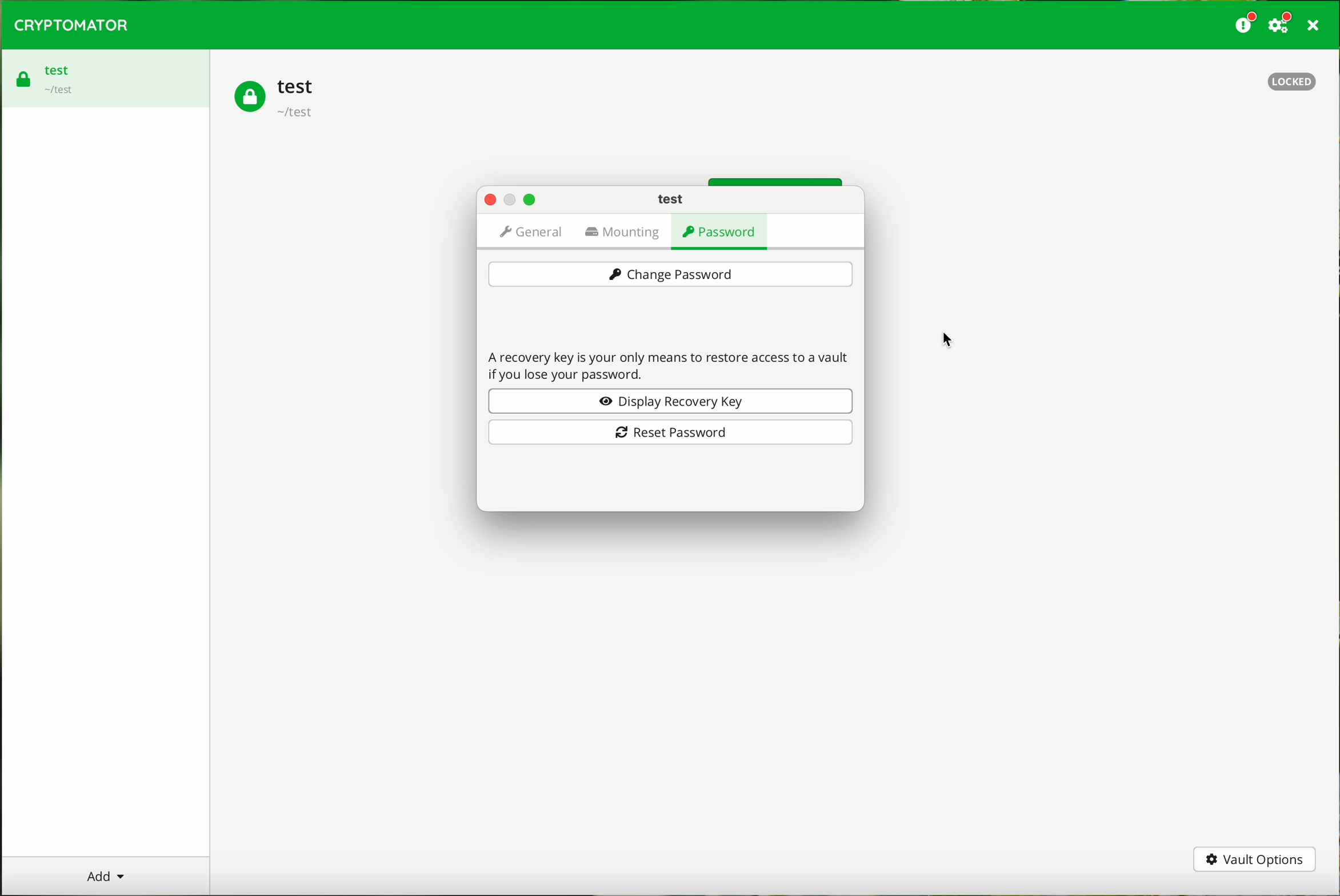 The width and height of the screenshot is (1340, 896). Describe the element at coordinates (671, 275) in the screenshot. I see `change password` at that location.